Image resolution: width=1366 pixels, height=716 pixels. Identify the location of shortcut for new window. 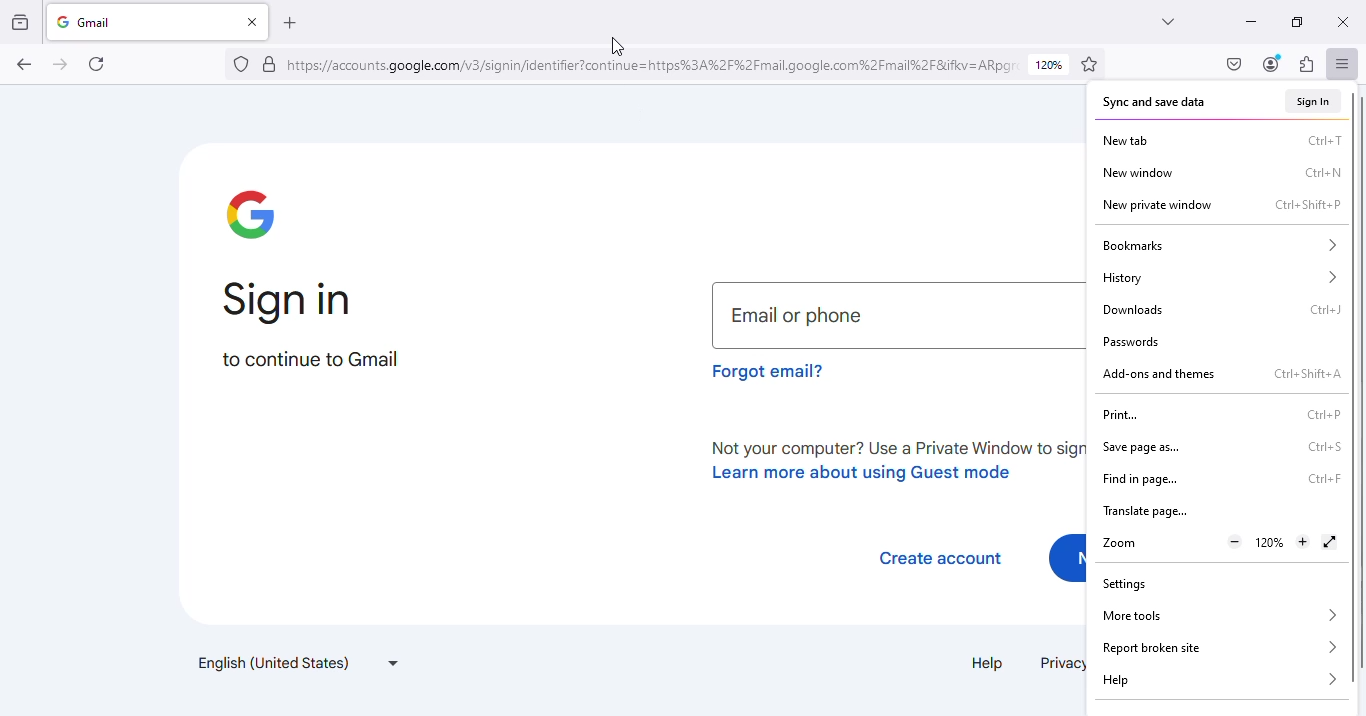
(1322, 172).